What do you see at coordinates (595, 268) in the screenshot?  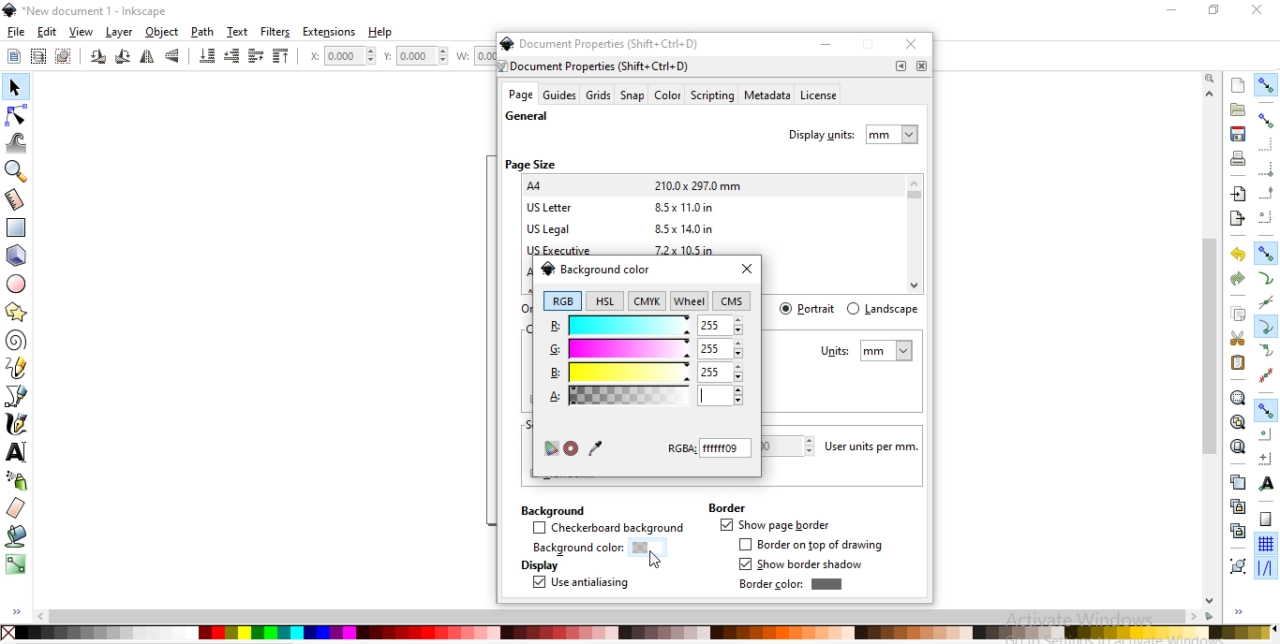 I see `background color` at bounding box center [595, 268].